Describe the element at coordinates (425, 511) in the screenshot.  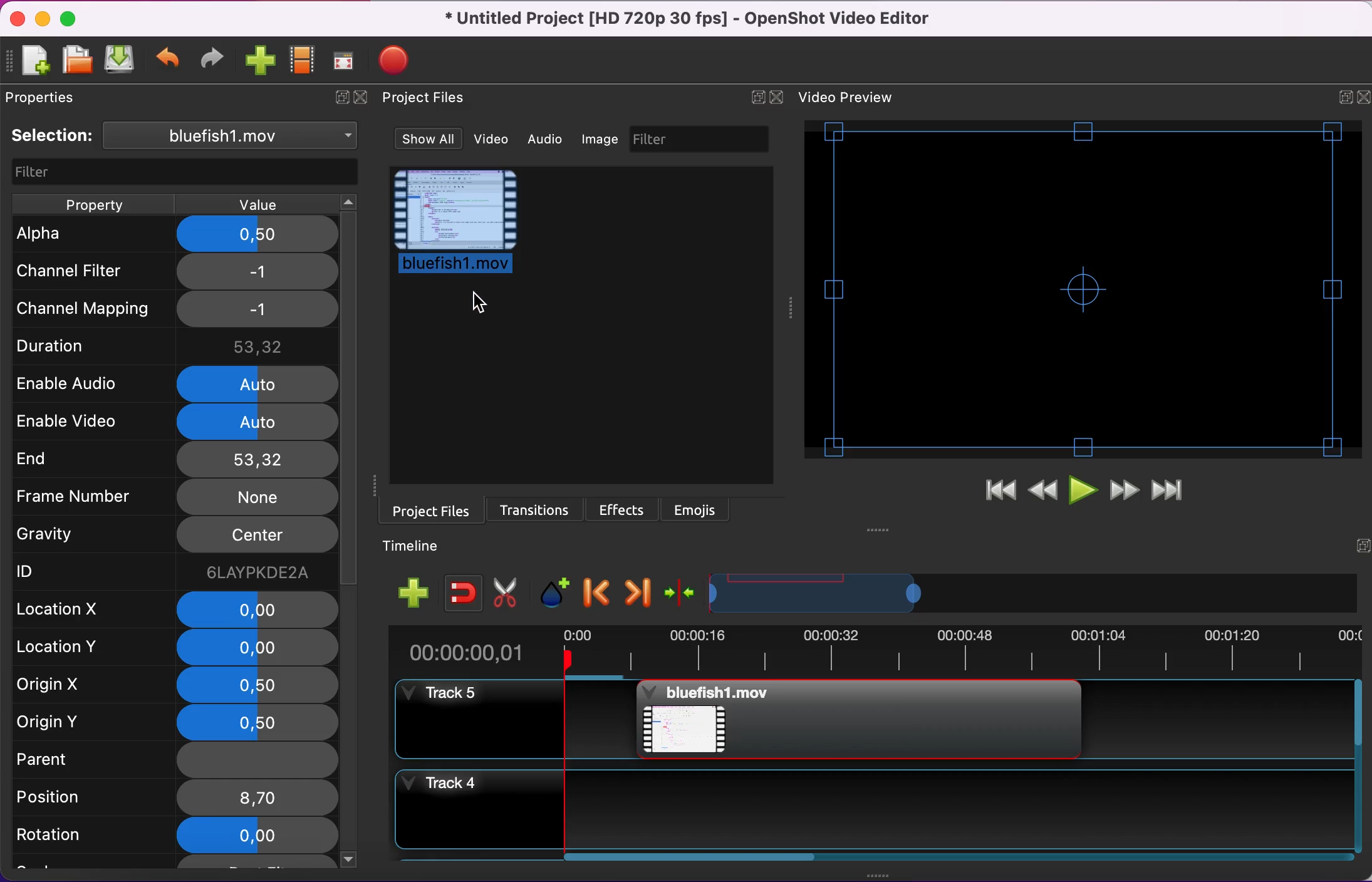
I see `project files` at that location.